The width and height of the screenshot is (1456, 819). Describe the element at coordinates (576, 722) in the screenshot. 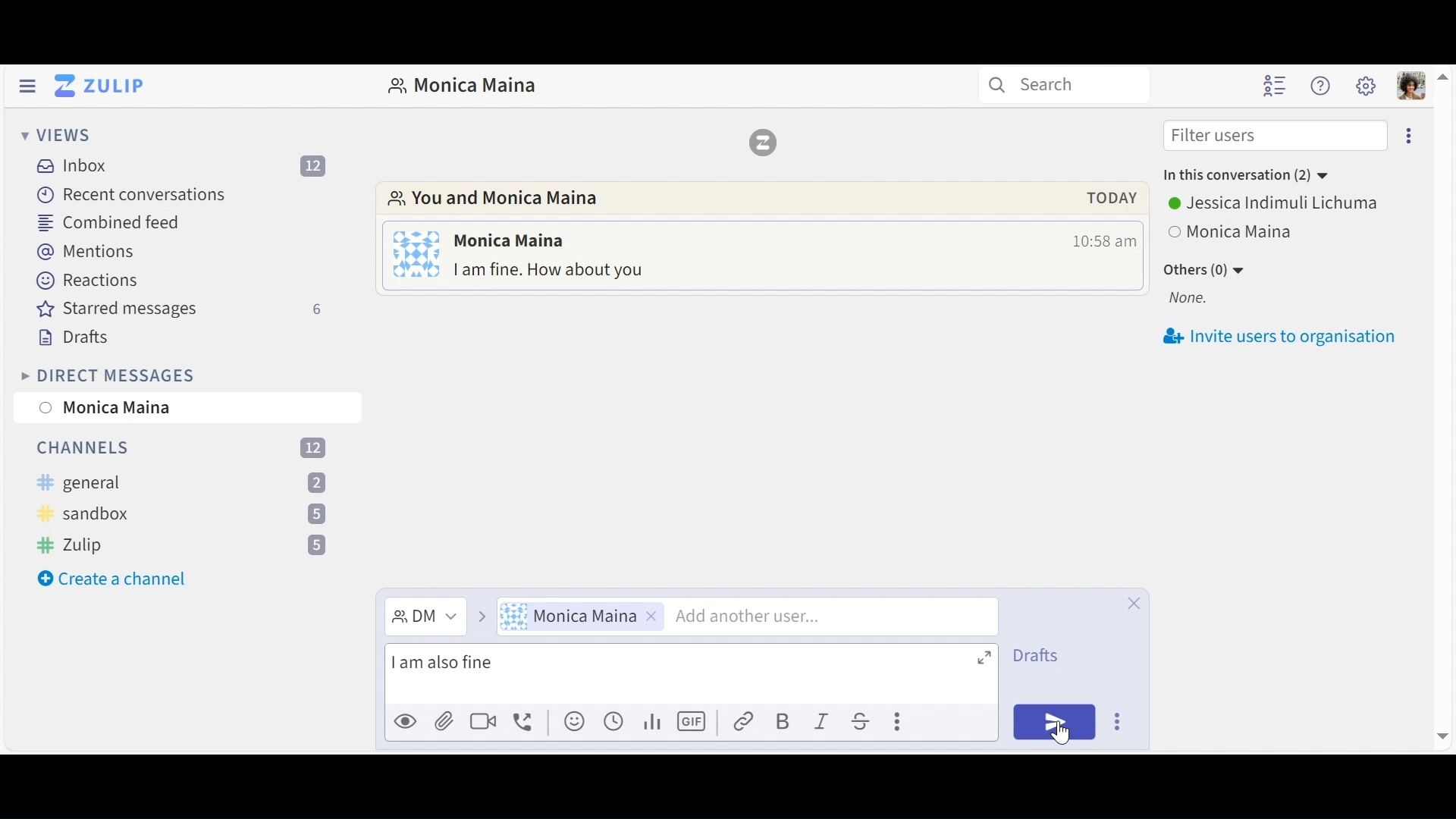

I see `Add emoji` at that location.